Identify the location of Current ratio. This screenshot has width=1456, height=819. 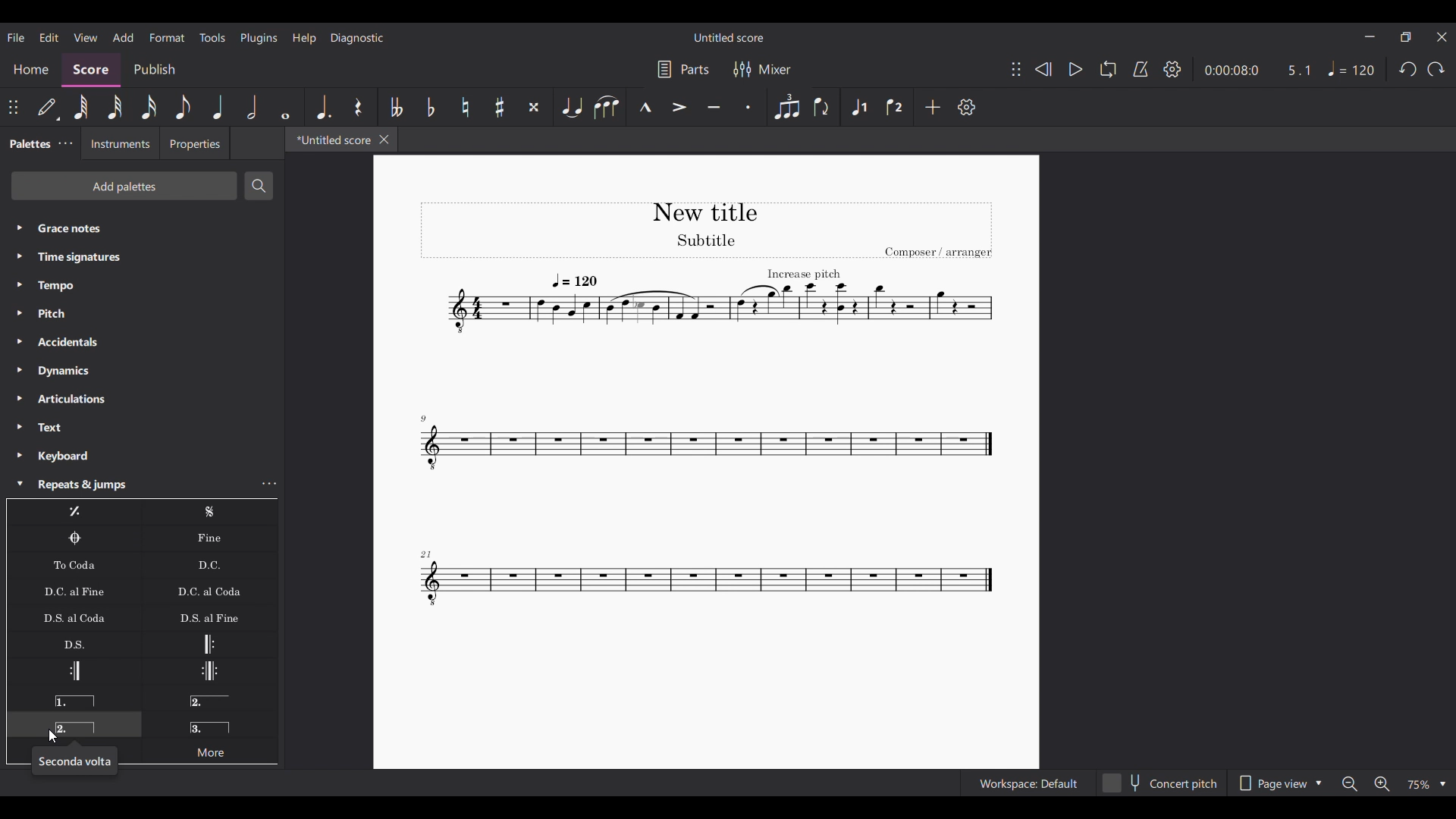
(1298, 71).